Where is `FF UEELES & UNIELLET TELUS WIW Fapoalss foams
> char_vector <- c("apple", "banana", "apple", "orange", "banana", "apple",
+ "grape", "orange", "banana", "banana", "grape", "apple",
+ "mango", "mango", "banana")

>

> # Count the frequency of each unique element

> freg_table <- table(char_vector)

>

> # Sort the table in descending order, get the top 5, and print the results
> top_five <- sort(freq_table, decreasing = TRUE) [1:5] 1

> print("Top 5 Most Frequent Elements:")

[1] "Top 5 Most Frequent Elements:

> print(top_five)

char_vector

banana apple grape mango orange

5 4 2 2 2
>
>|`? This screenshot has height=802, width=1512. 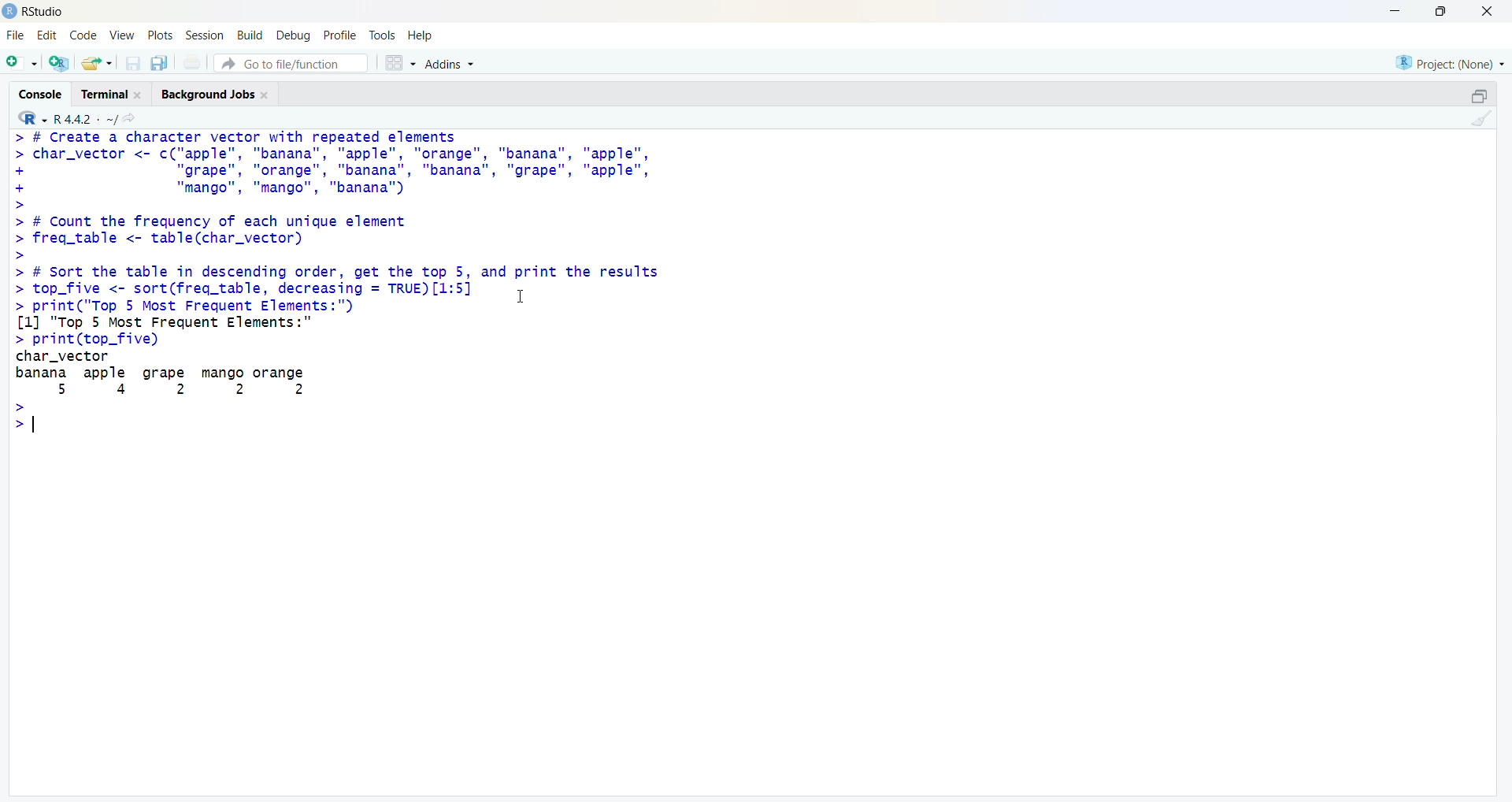 FF UEELES & UNIELLET TELUS WIW Fapoalss foams
> char_vector <- c("apple", "banana", "apple", "orange", "banana", "apple",
+ "grape", "orange", "banana", "banana", "grape", "apple",
+ "mango", "mango", "banana")

>

> # Count the frequency of each unique element

> freg_table <- table(char_vector)

>

> # Sort the table in descending order, get the top 5, and print the results
> top_five <- sort(freq_table, decreasing = TRUE) [1:5] 1

> print("Top 5 Most Frequent Elements:")

[1] "Top 5 Most Frequent Elements:

> print(top_five)

char_vector

banana apple grape mango orange

5 4 2 2 2
>
>| is located at coordinates (358, 284).